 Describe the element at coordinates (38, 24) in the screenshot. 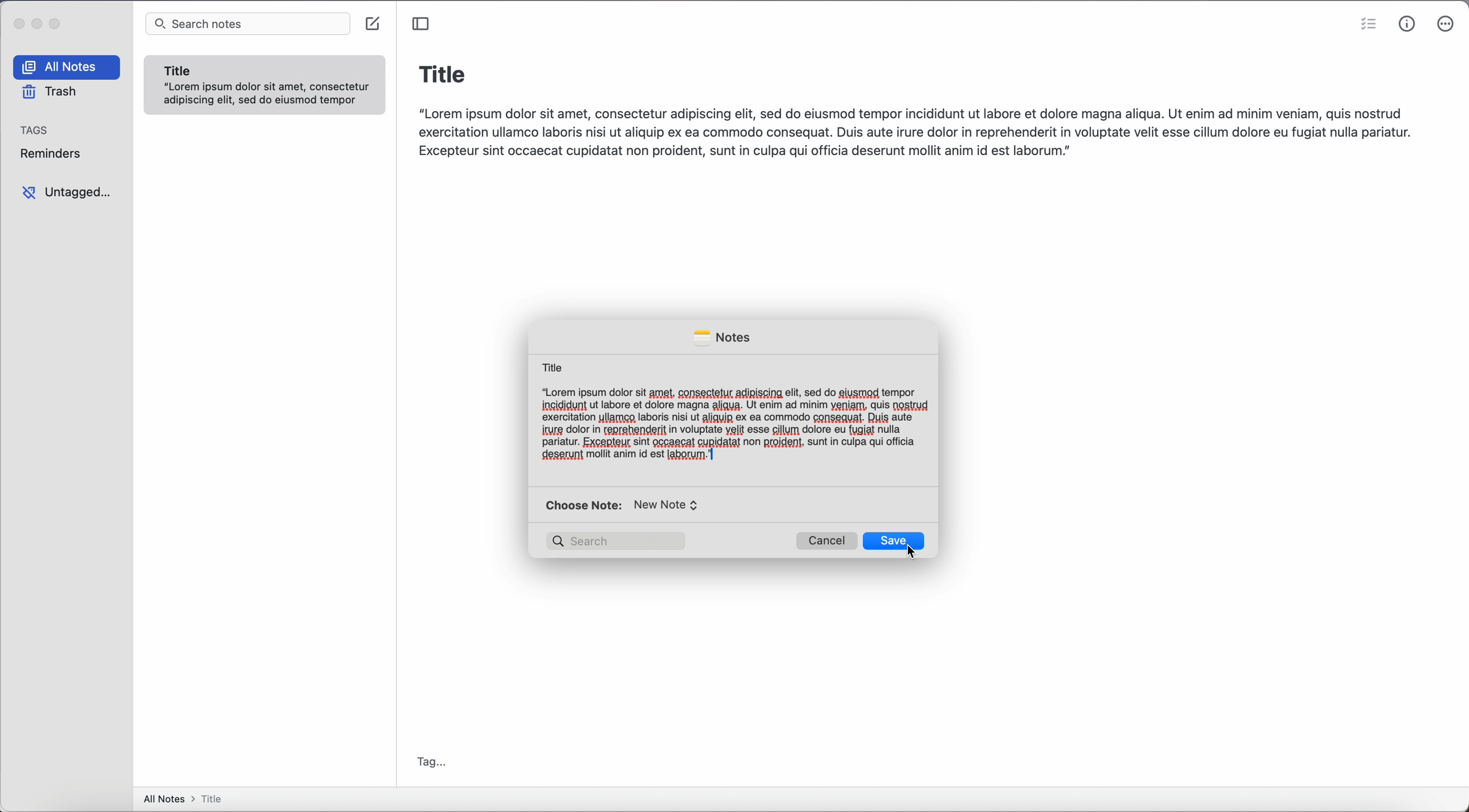

I see `minimize app` at that location.